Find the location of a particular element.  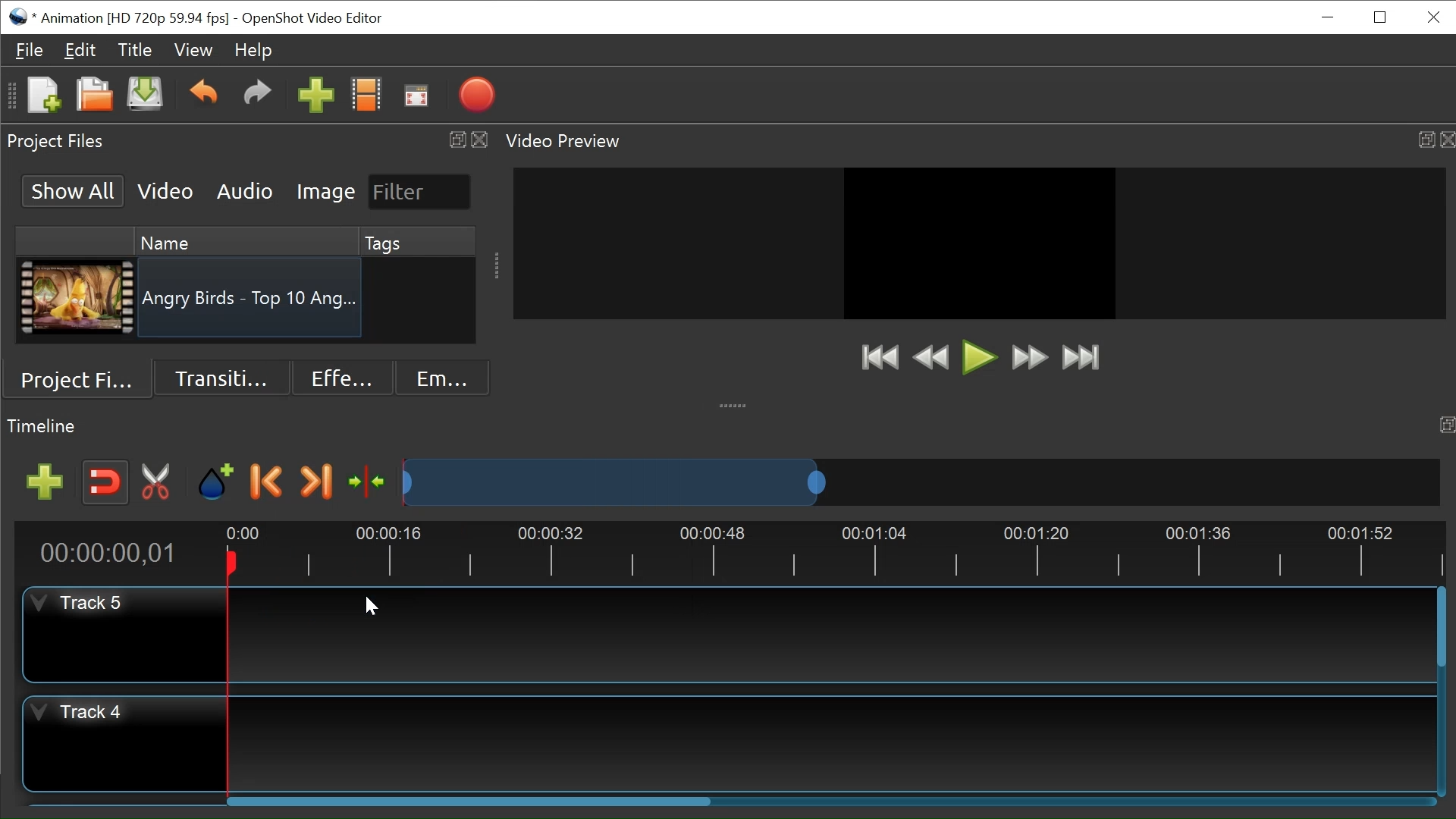

View is located at coordinates (193, 49).